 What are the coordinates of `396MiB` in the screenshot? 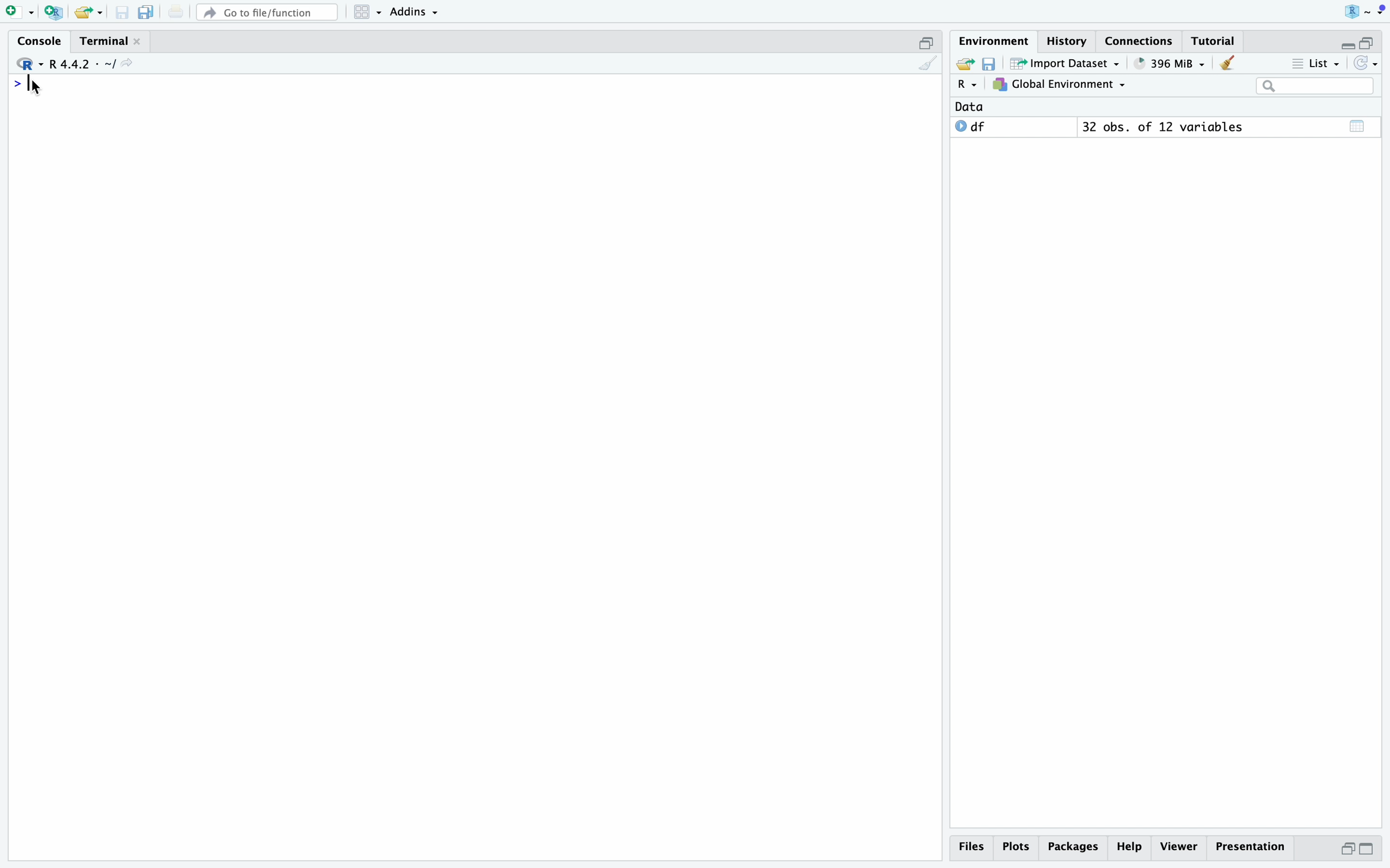 It's located at (1171, 64).